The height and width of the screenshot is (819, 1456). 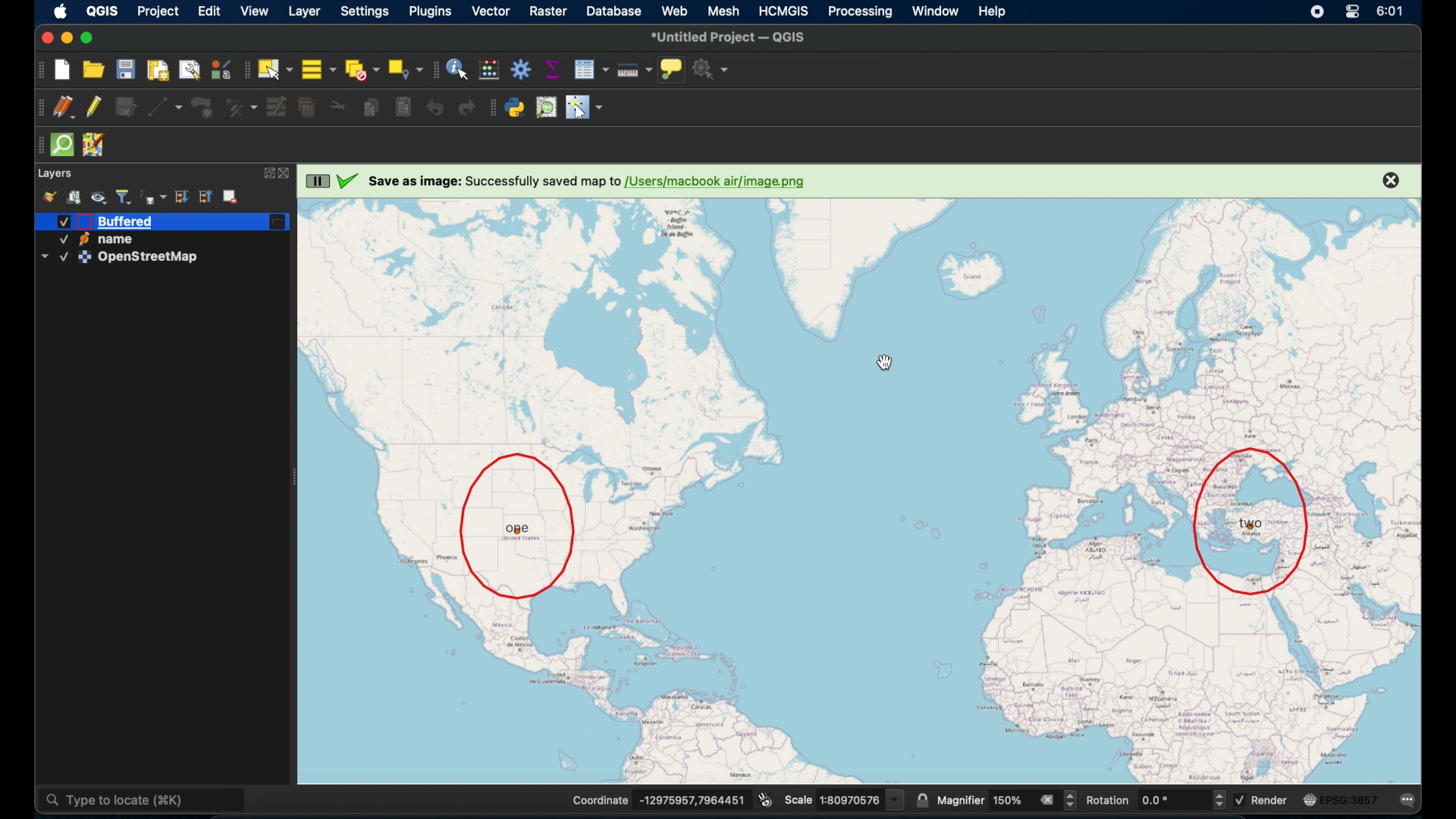 What do you see at coordinates (188, 69) in the screenshot?
I see `show layout manager` at bounding box center [188, 69].